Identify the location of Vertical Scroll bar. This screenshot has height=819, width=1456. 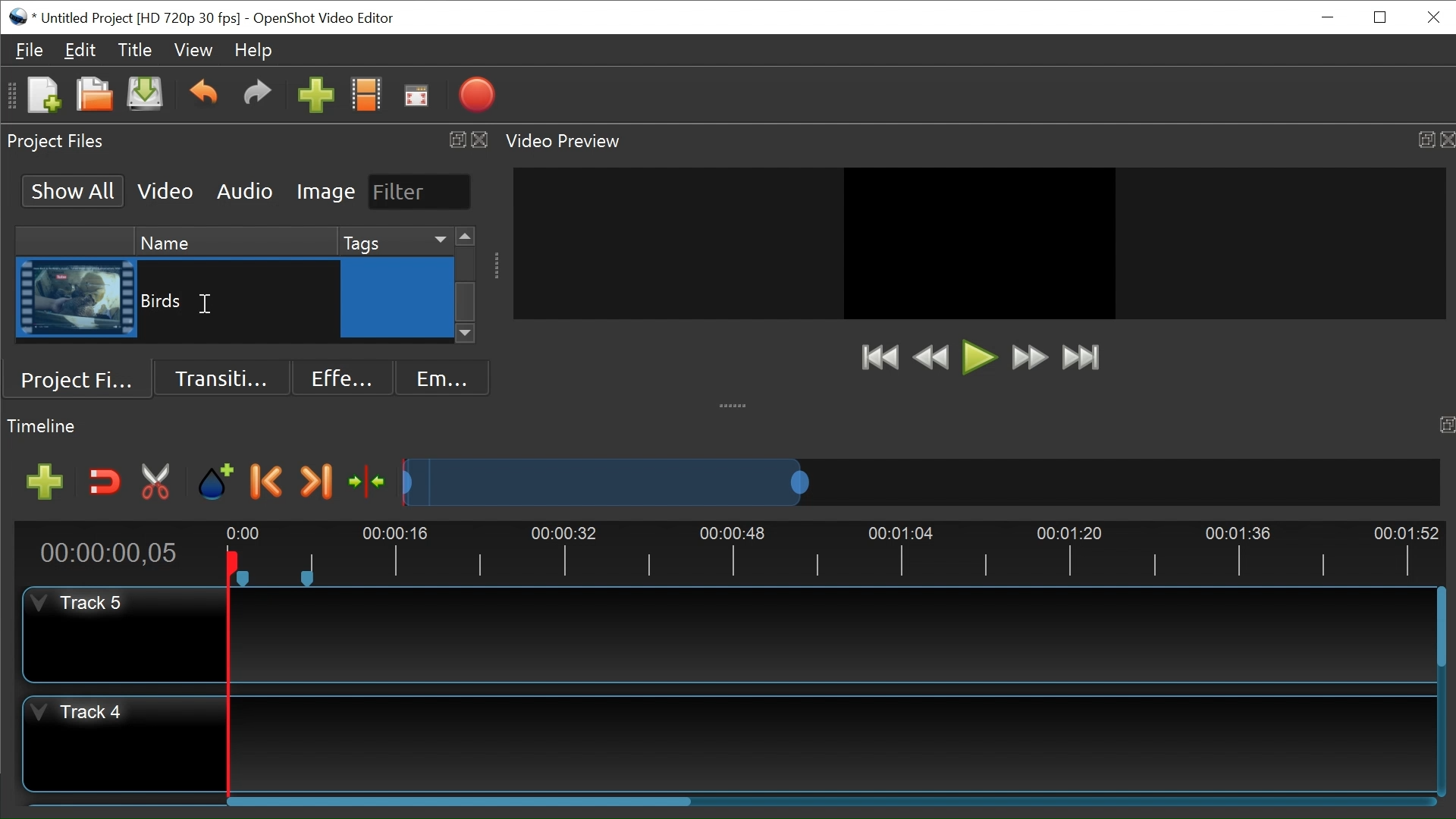
(1439, 629).